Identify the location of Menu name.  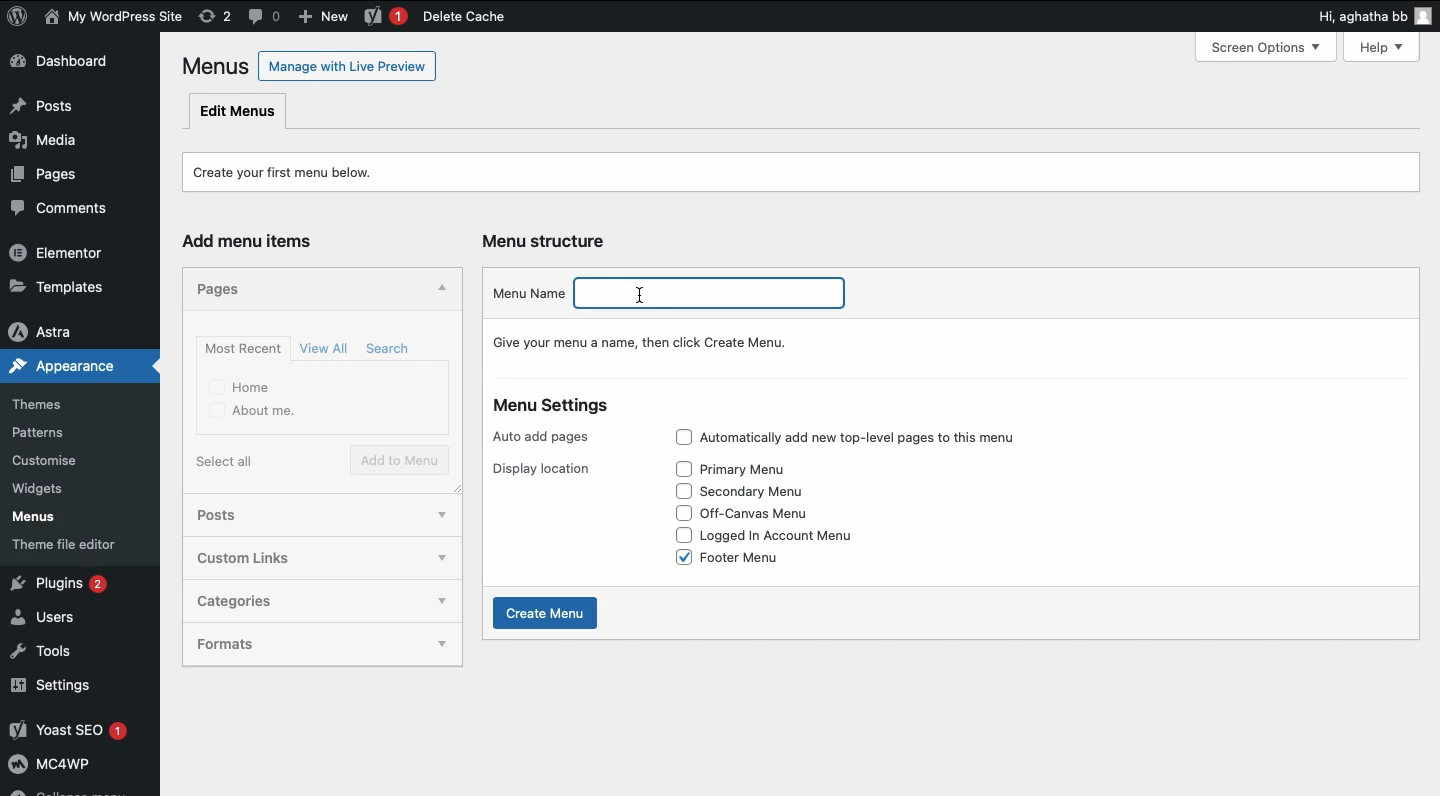
(529, 291).